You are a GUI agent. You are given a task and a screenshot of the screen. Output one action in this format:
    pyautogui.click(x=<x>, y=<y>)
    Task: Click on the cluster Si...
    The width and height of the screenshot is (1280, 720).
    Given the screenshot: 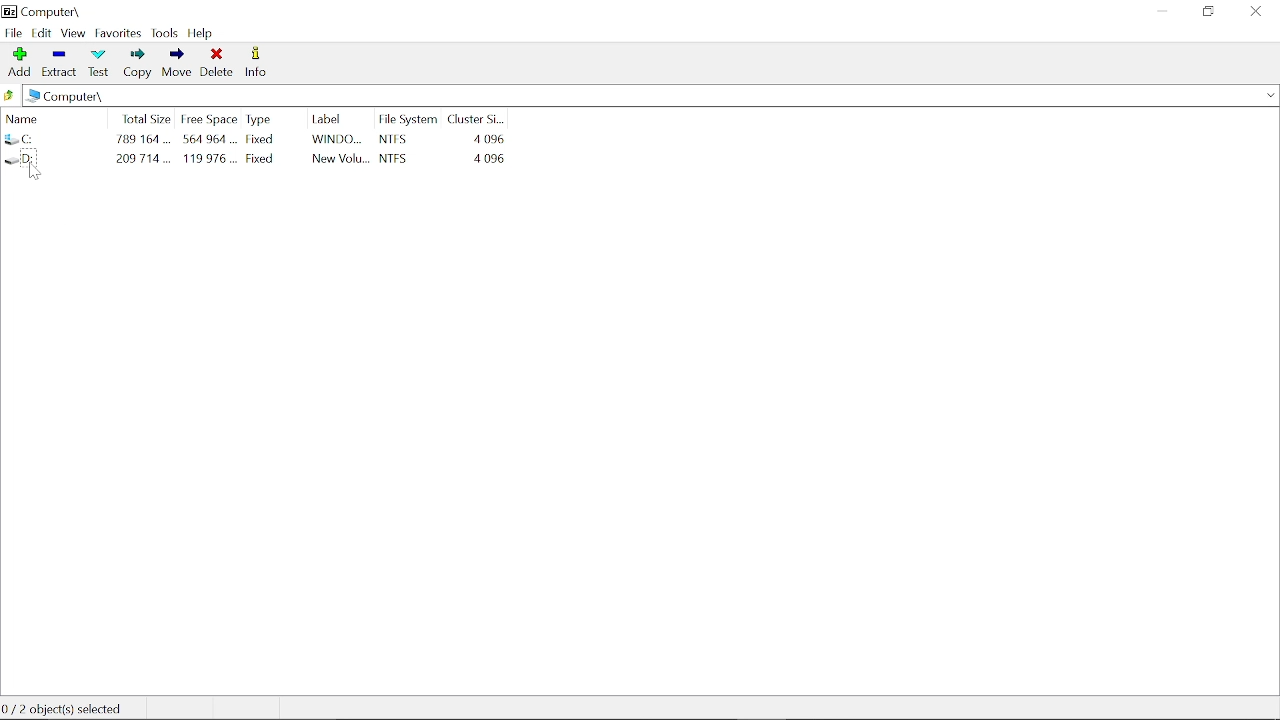 What is the action you would take?
    pyautogui.click(x=479, y=116)
    